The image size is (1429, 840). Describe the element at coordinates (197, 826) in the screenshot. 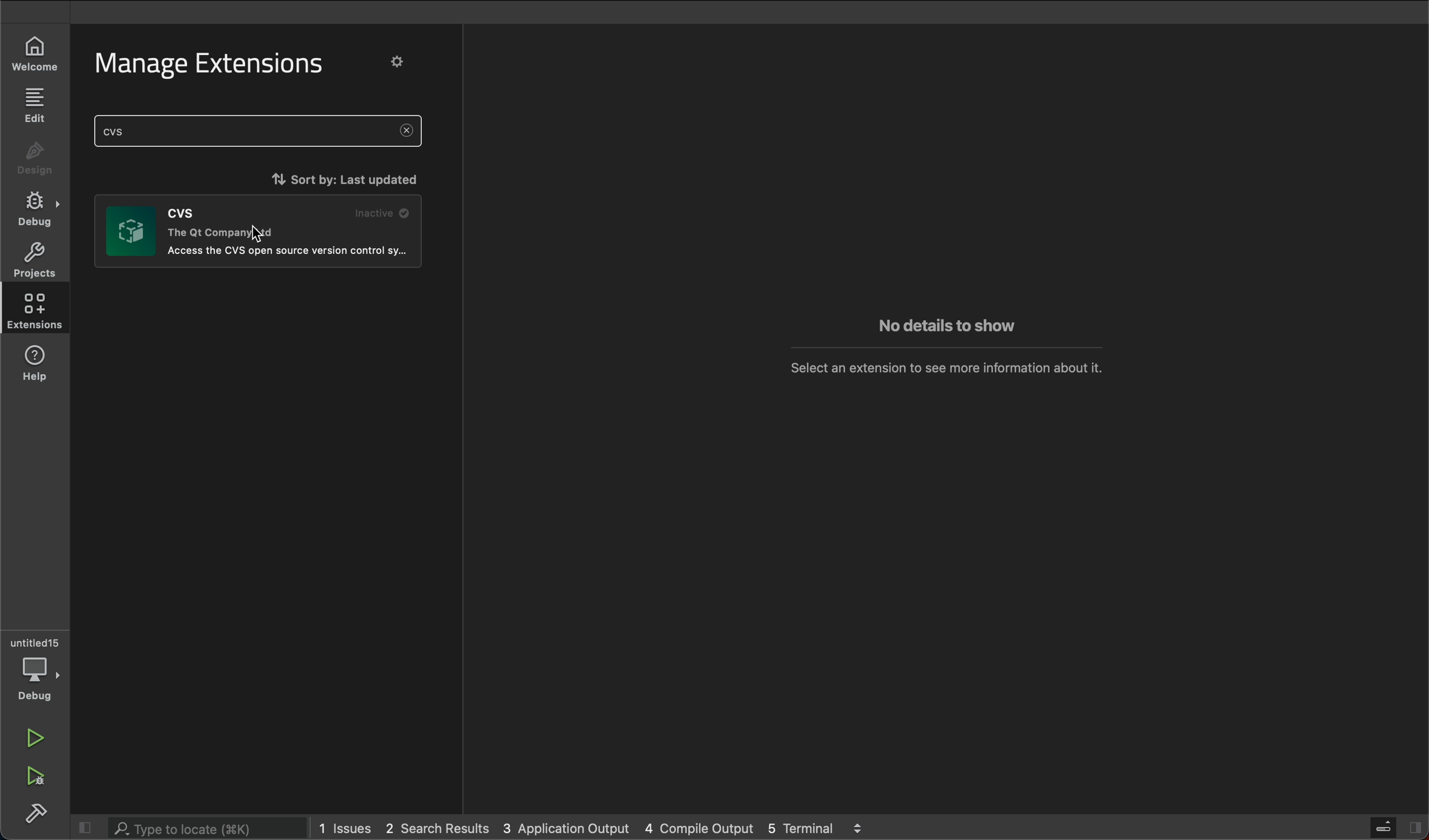

I see `search` at that location.